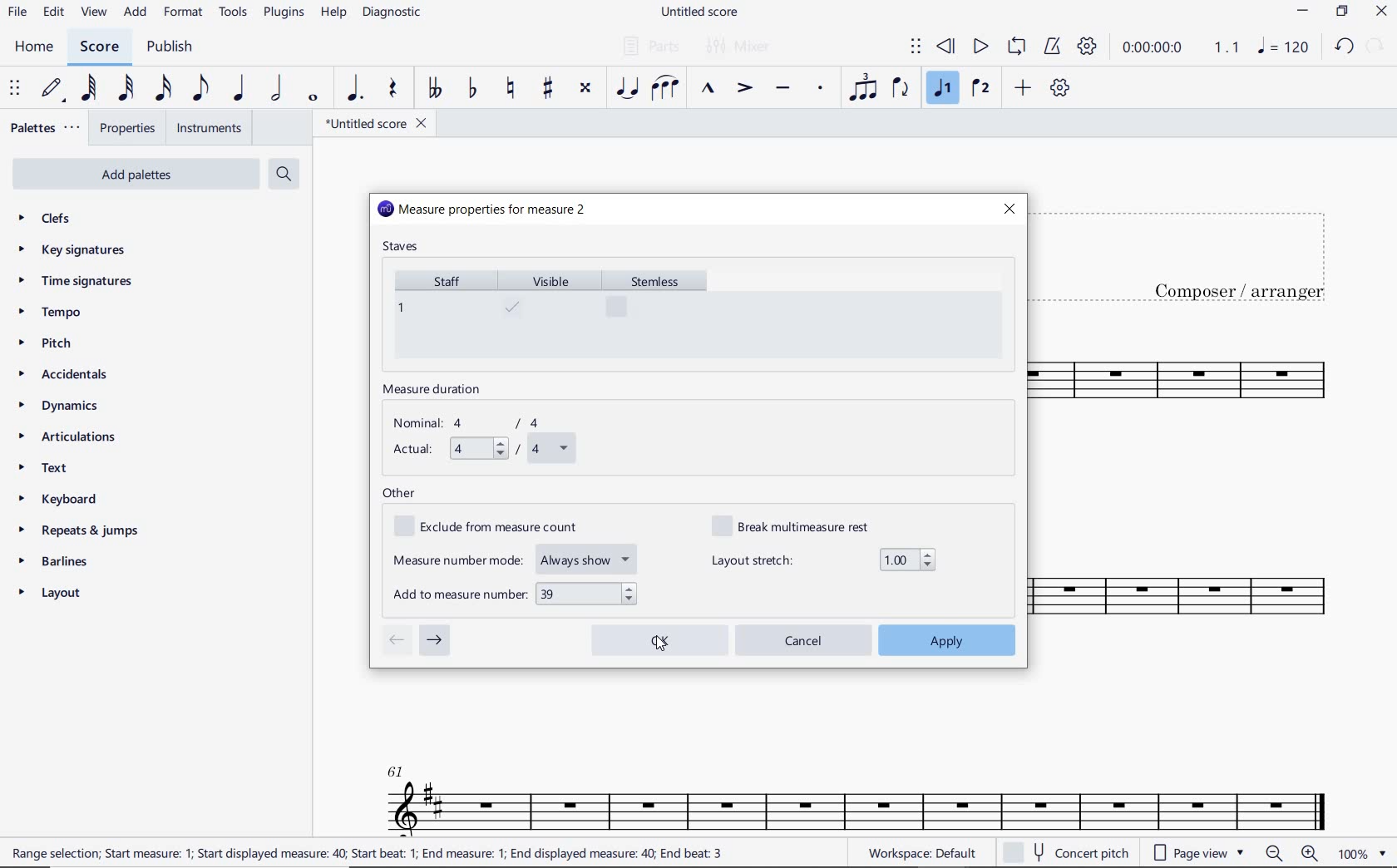 The width and height of the screenshot is (1397, 868). What do you see at coordinates (1069, 853) in the screenshot?
I see `concert pitch` at bounding box center [1069, 853].